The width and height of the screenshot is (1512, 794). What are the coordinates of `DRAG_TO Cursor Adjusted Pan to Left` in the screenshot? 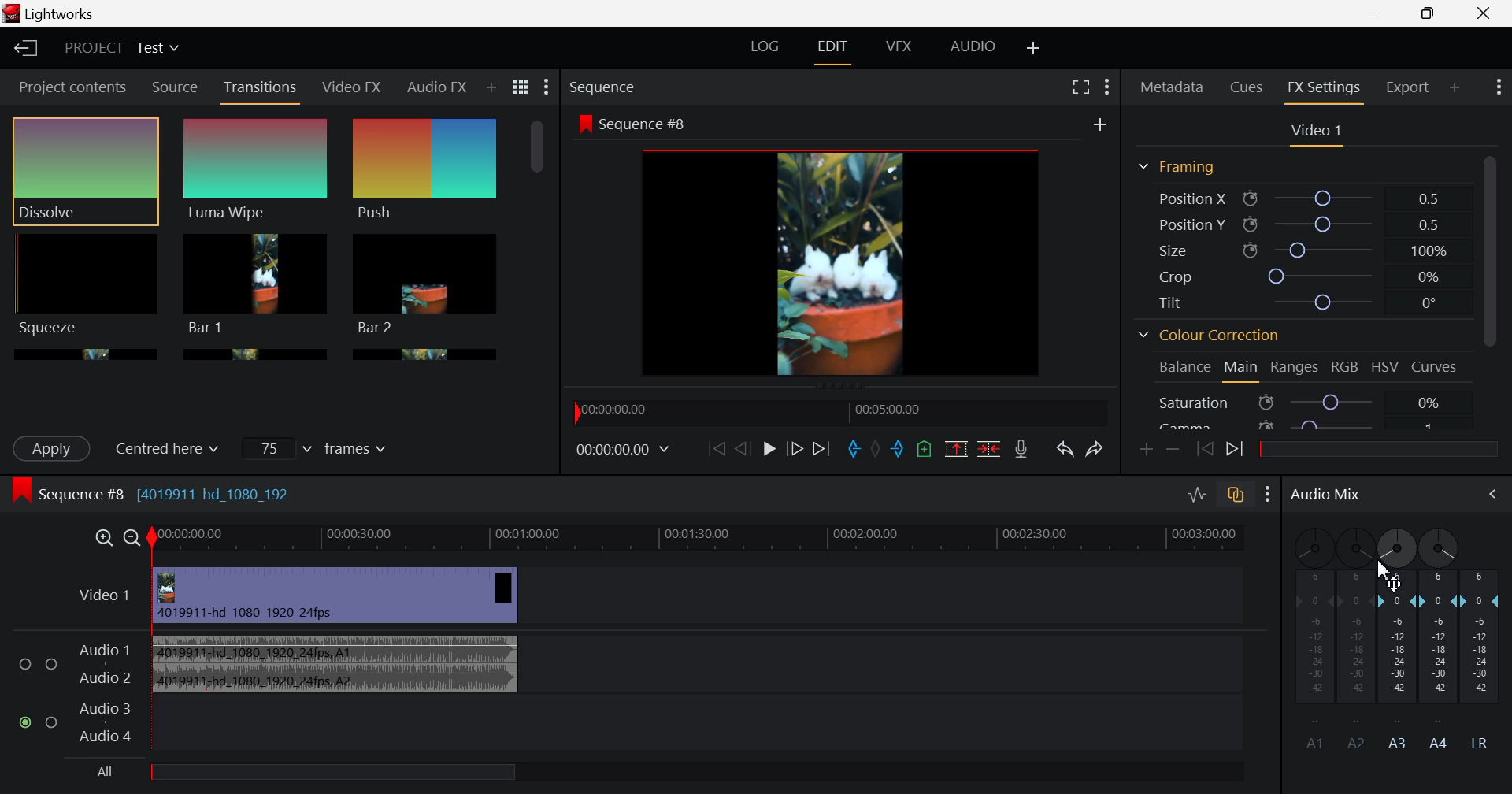 It's located at (1395, 550).